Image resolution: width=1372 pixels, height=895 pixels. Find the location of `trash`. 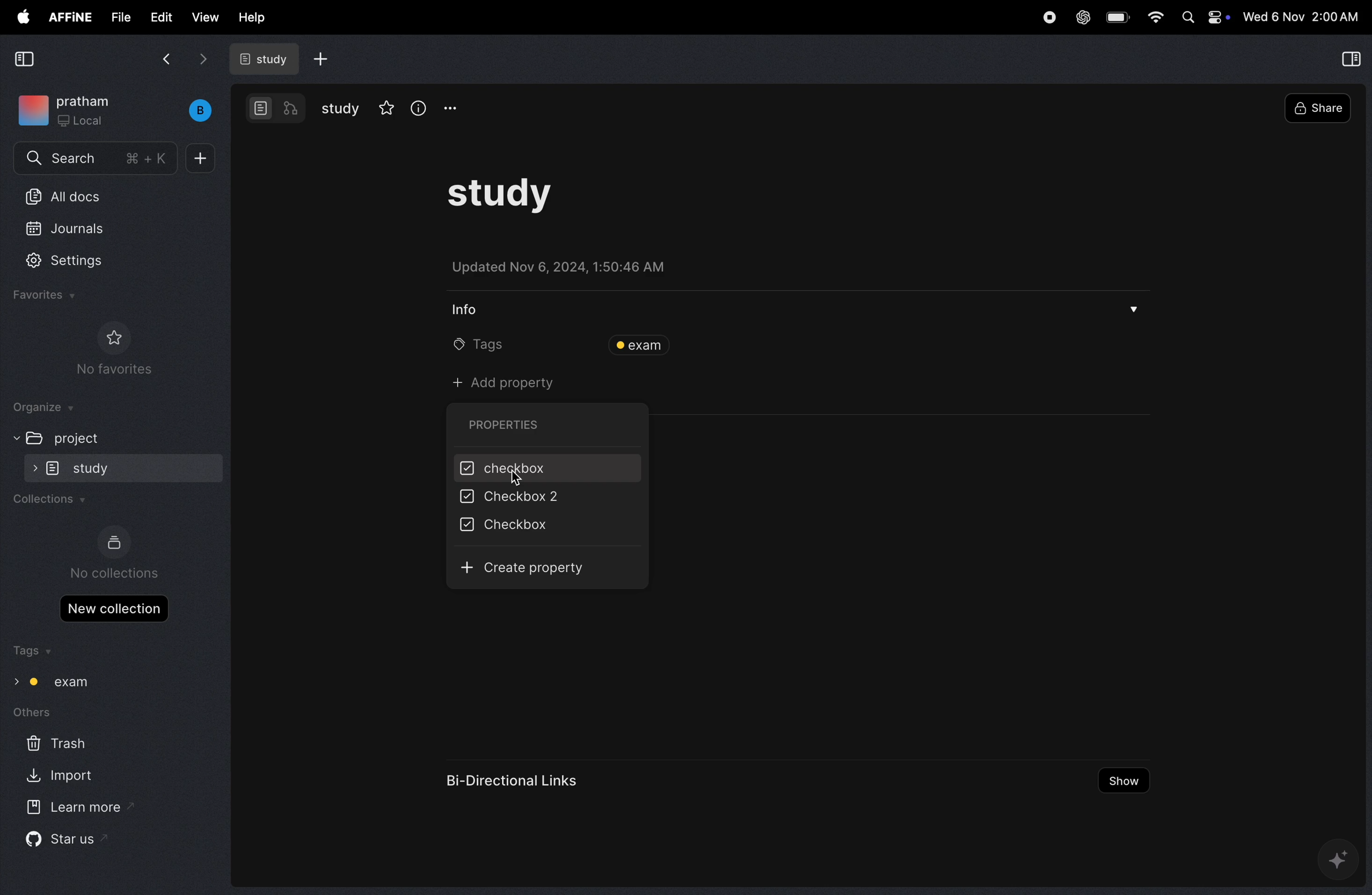

trash is located at coordinates (68, 743).